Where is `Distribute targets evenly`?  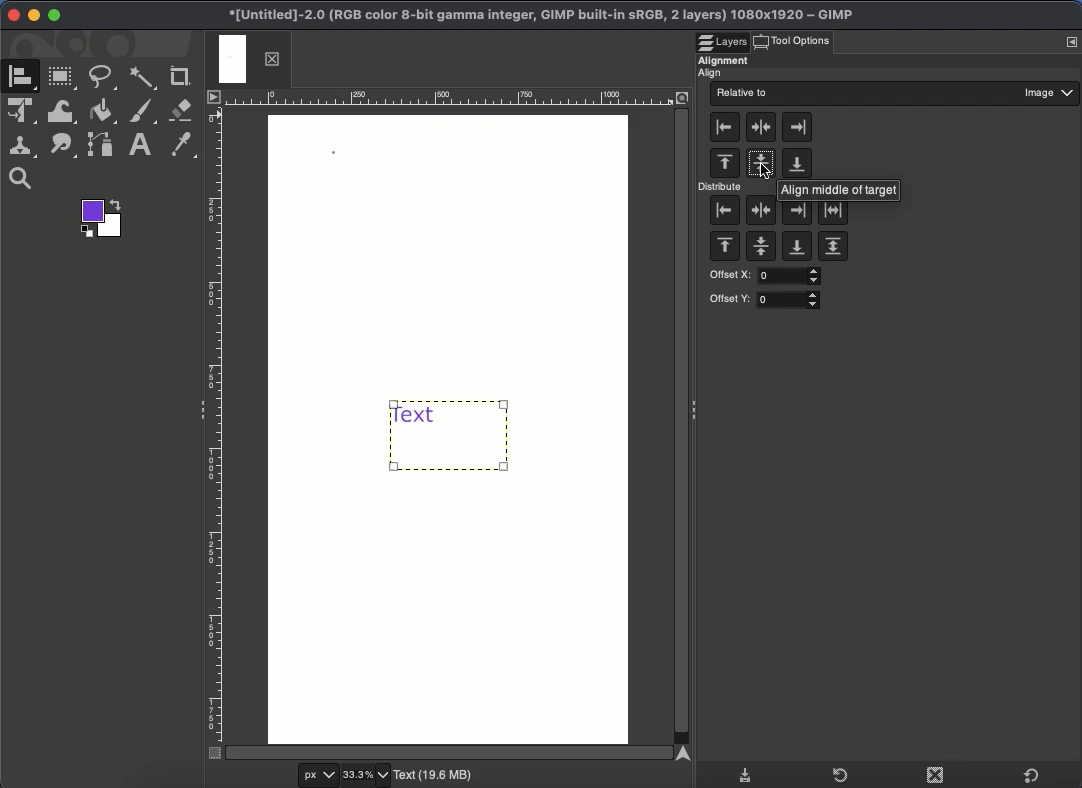 Distribute targets evenly is located at coordinates (834, 211).